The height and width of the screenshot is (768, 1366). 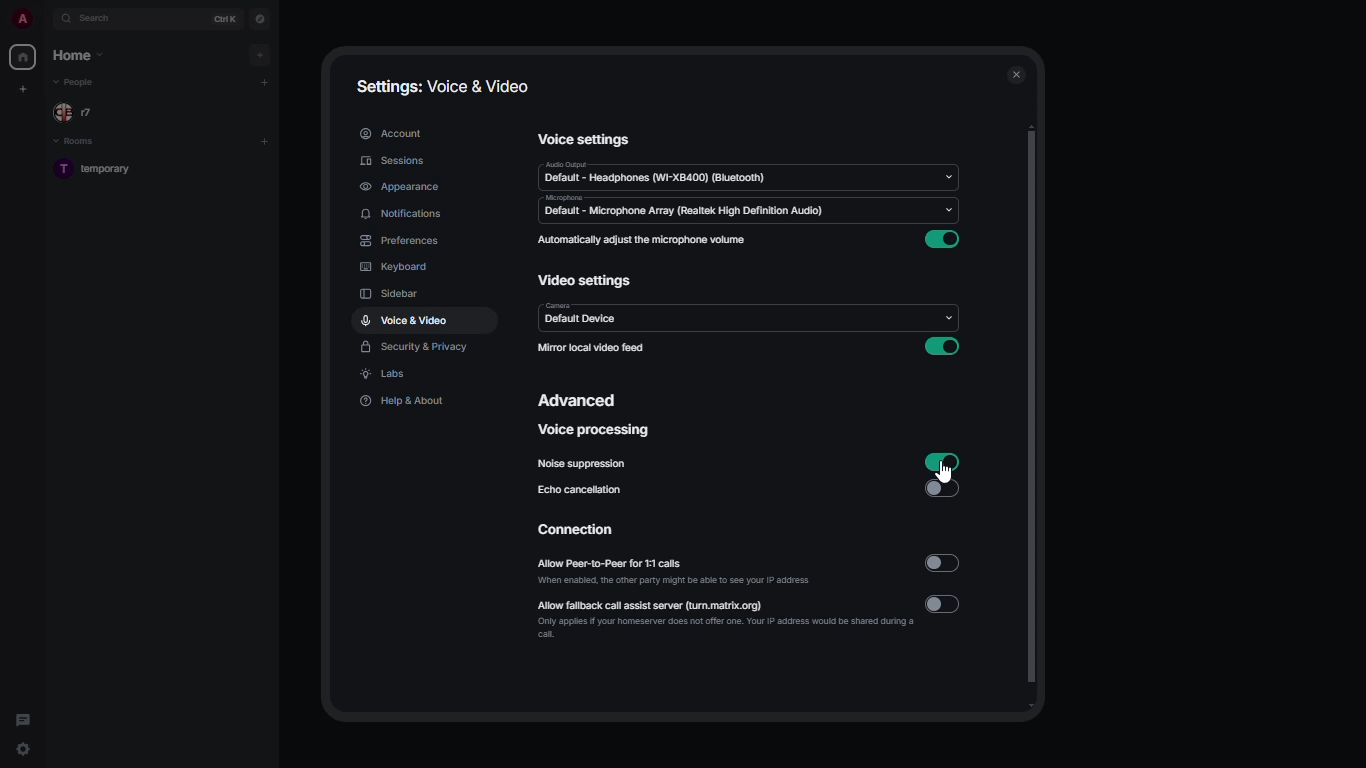 What do you see at coordinates (580, 400) in the screenshot?
I see `advanced` at bounding box center [580, 400].